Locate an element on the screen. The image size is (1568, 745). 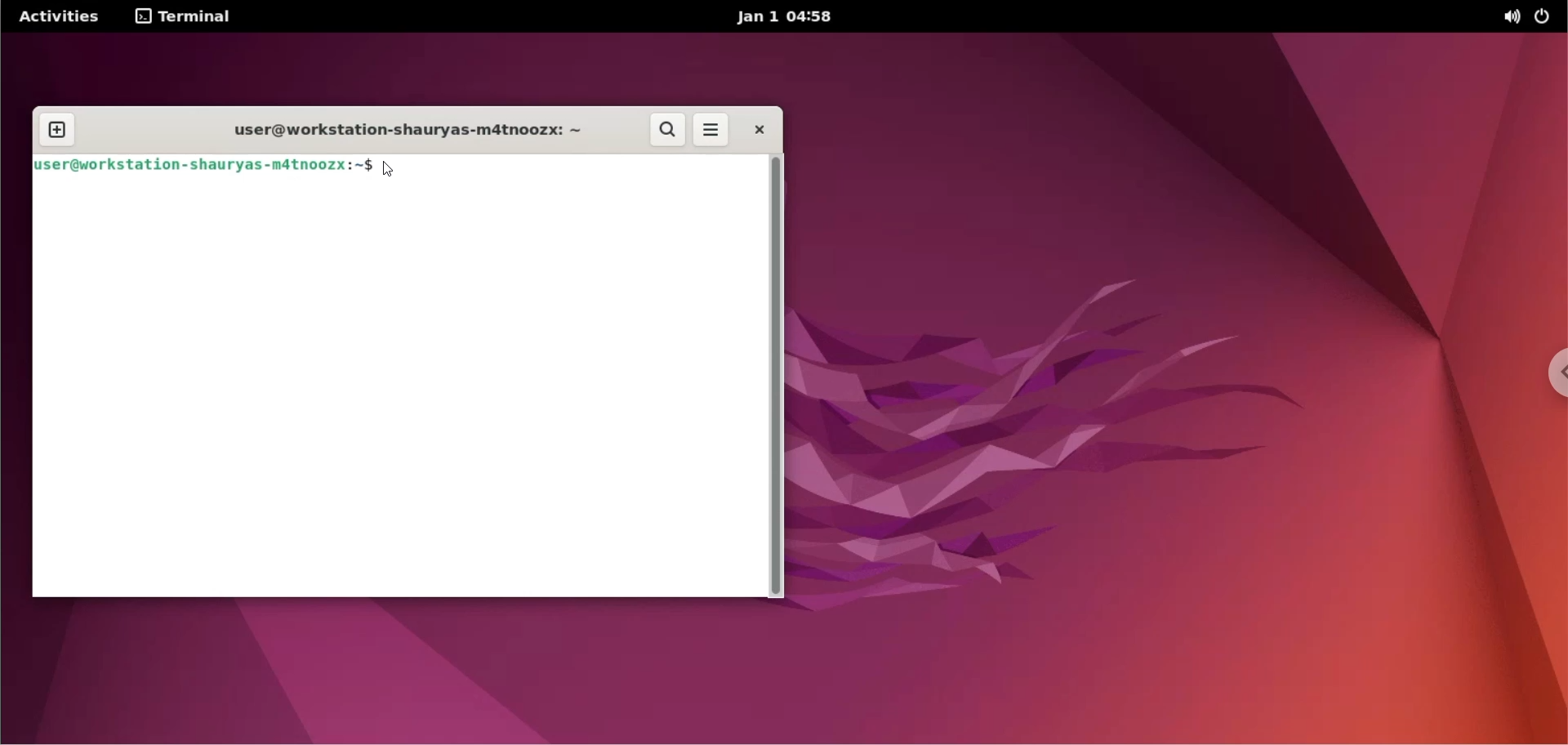
cursor is located at coordinates (393, 168).